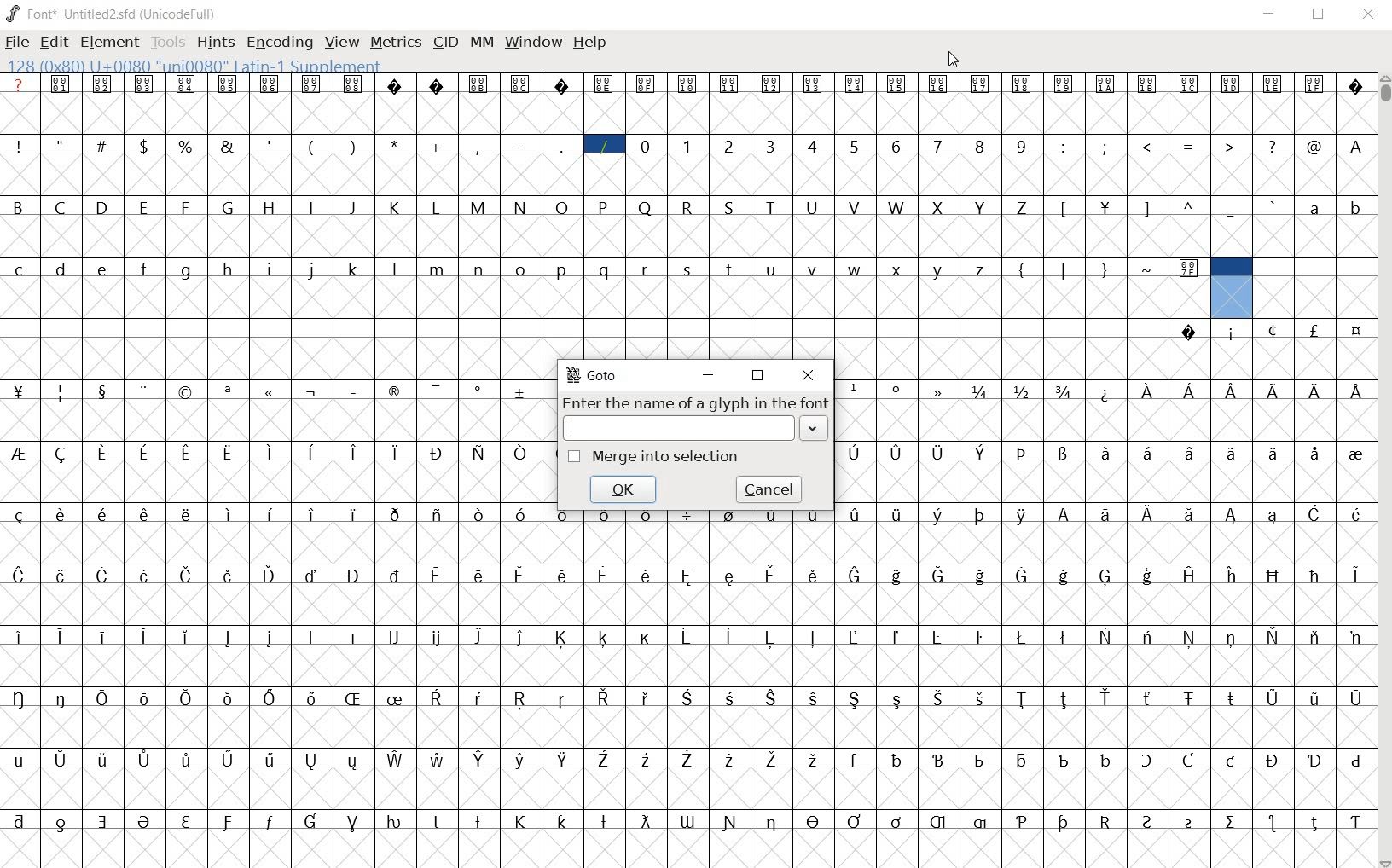  Describe the element at coordinates (1354, 756) in the screenshot. I see `Symbol` at that location.